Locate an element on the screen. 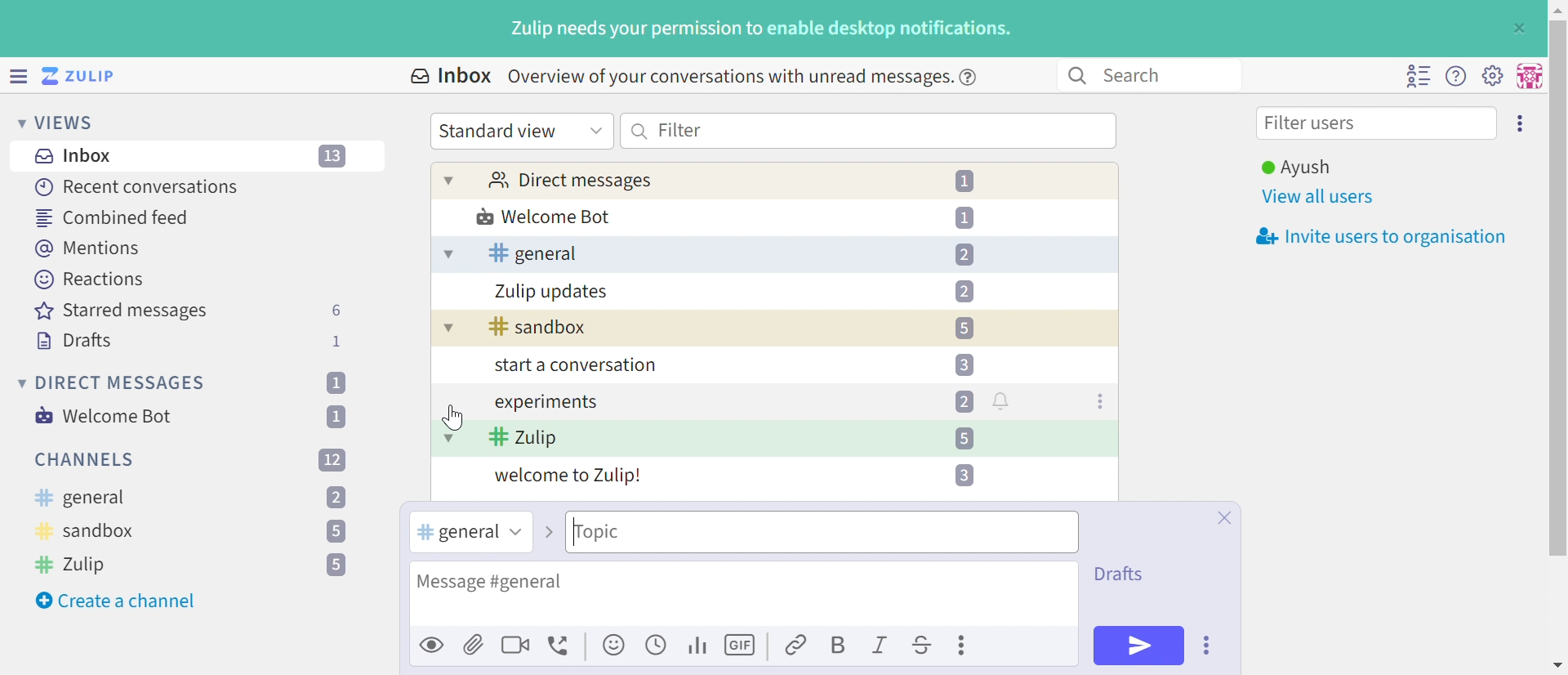  Mentions is located at coordinates (91, 248).